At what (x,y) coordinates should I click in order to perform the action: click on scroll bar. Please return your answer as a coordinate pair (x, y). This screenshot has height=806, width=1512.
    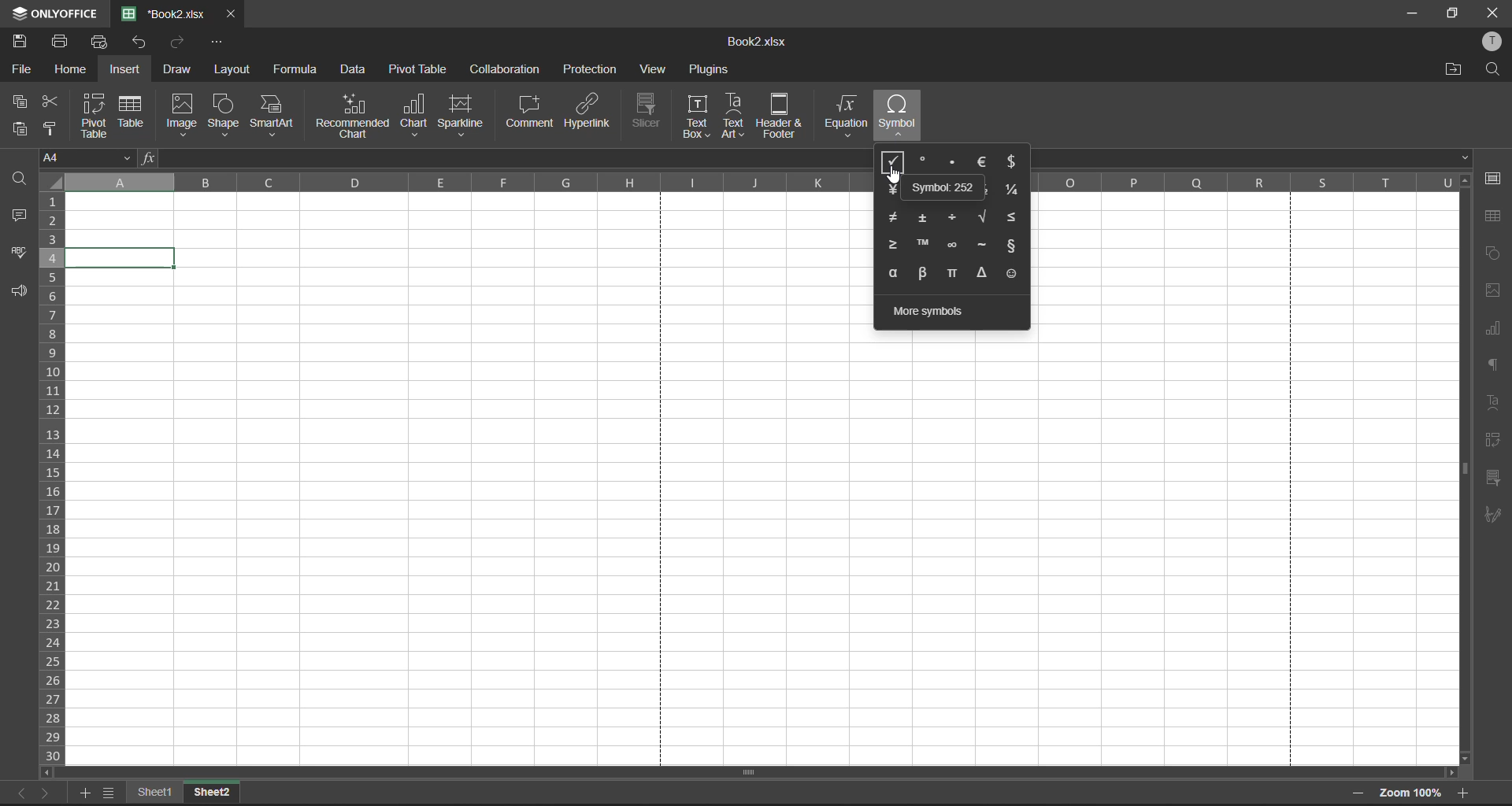
    Looking at the image, I should click on (1462, 471).